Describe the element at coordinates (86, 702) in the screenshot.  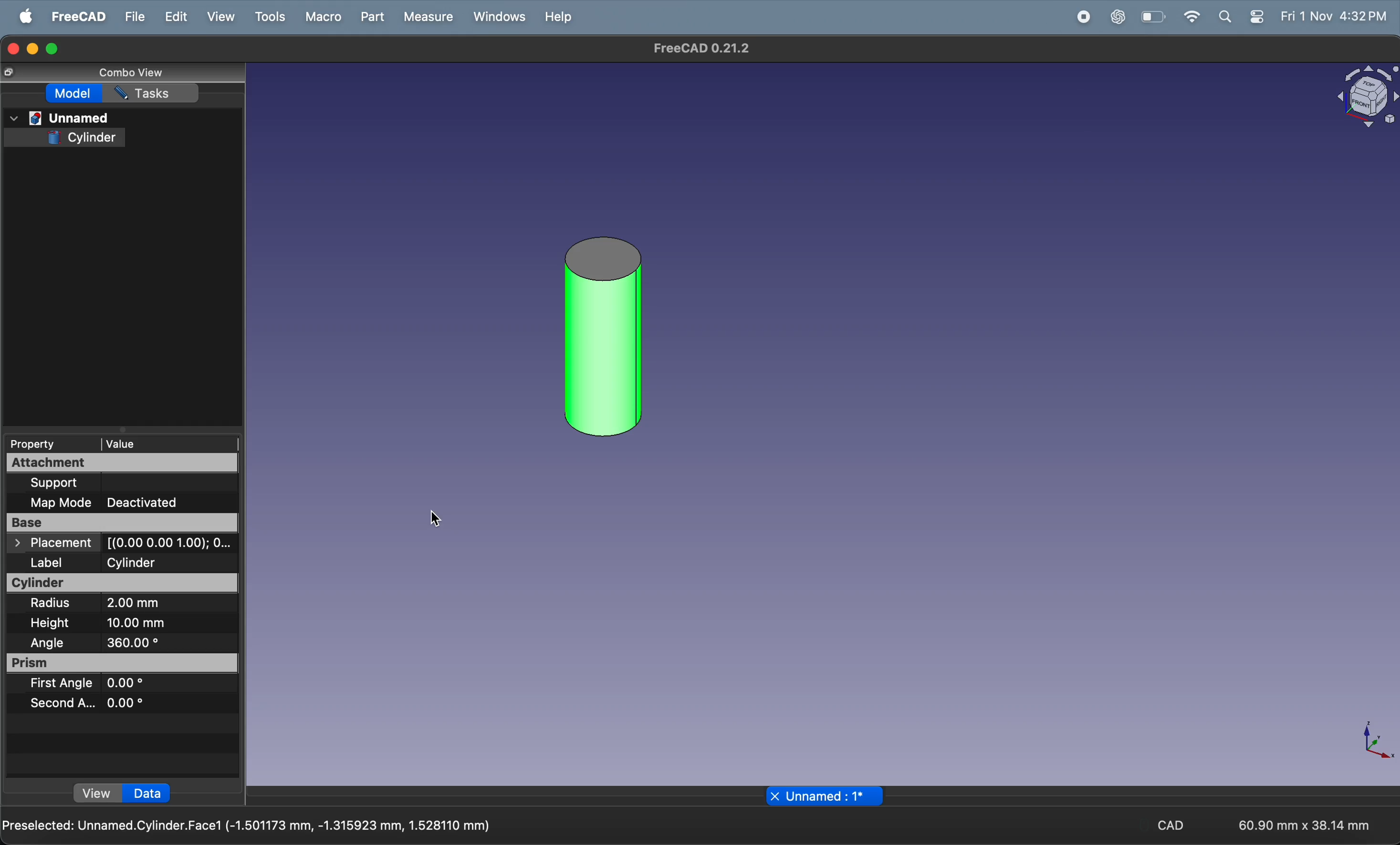
I see `Second A... 0.00°` at that location.